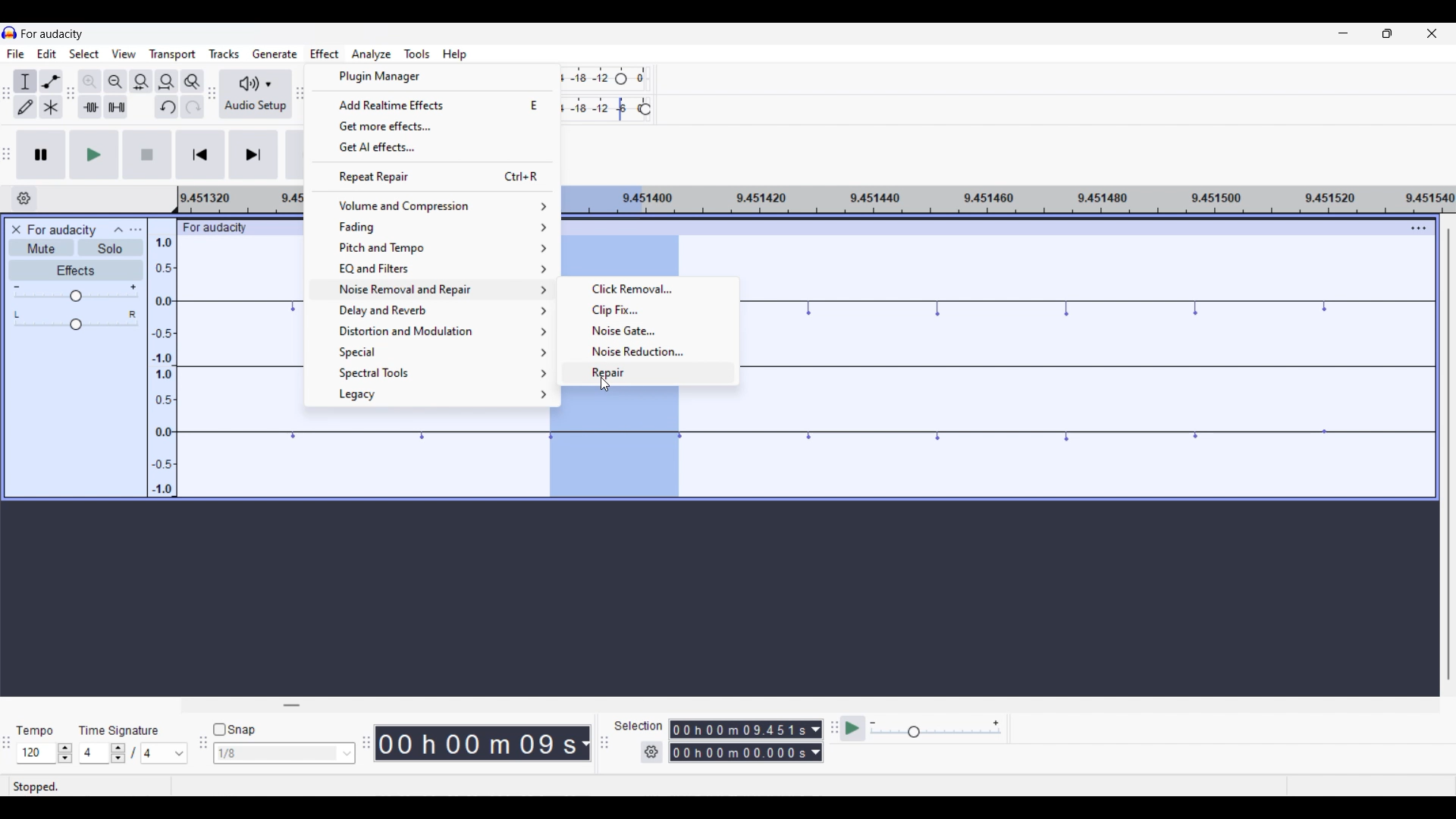 This screenshot has width=1456, height=819. Describe the element at coordinates (225, 227) in the screenshot. I see `For audacity` at that location.